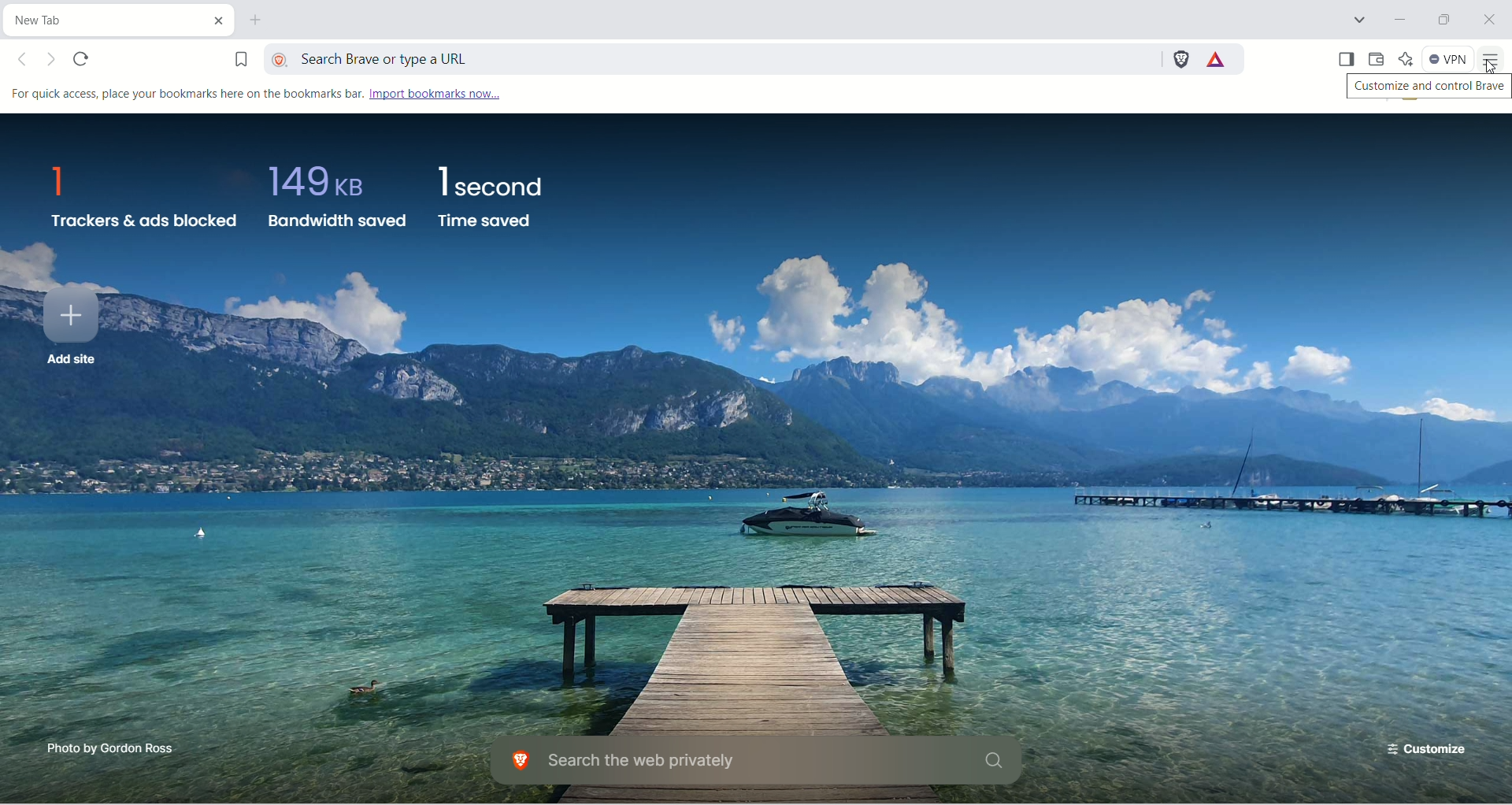  What do you see at coordinates (69, 331) in the screenshot?
I see `add site` at bounding box center [69, 331].